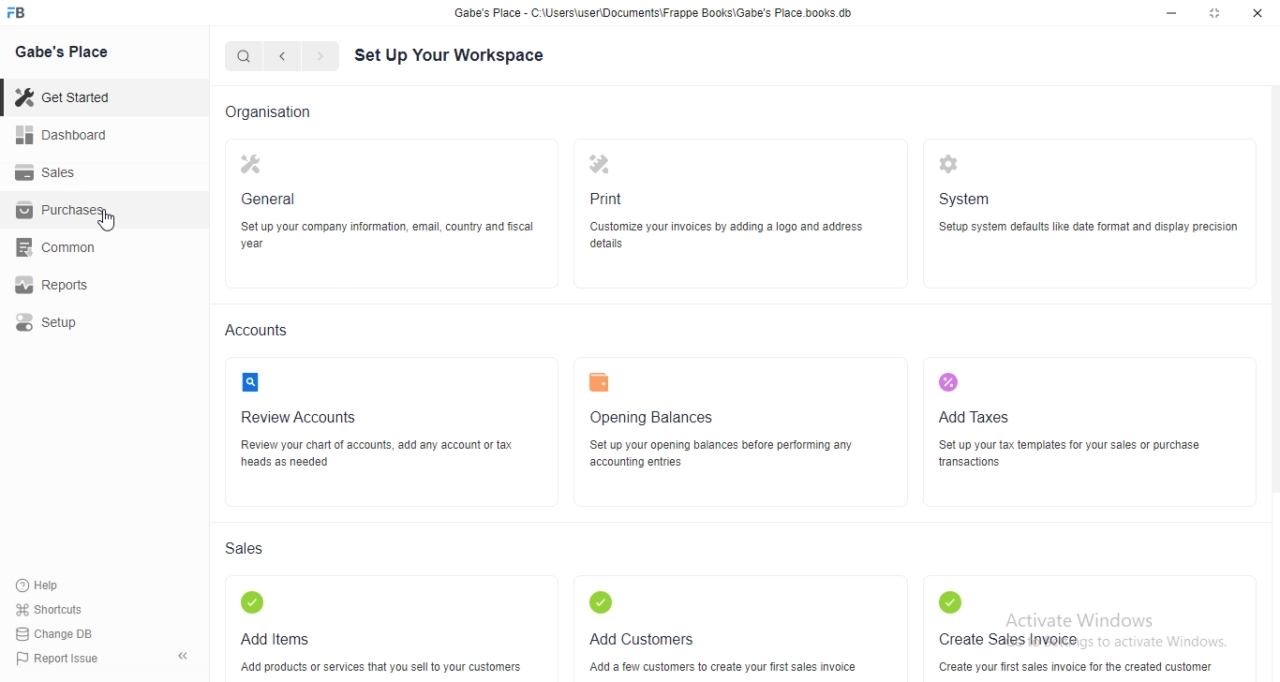 The image size is (1280, 682). What do you see at coordinates (252, 164) in the screenshot?
I see `General icon` at bounding box center [252, 164].